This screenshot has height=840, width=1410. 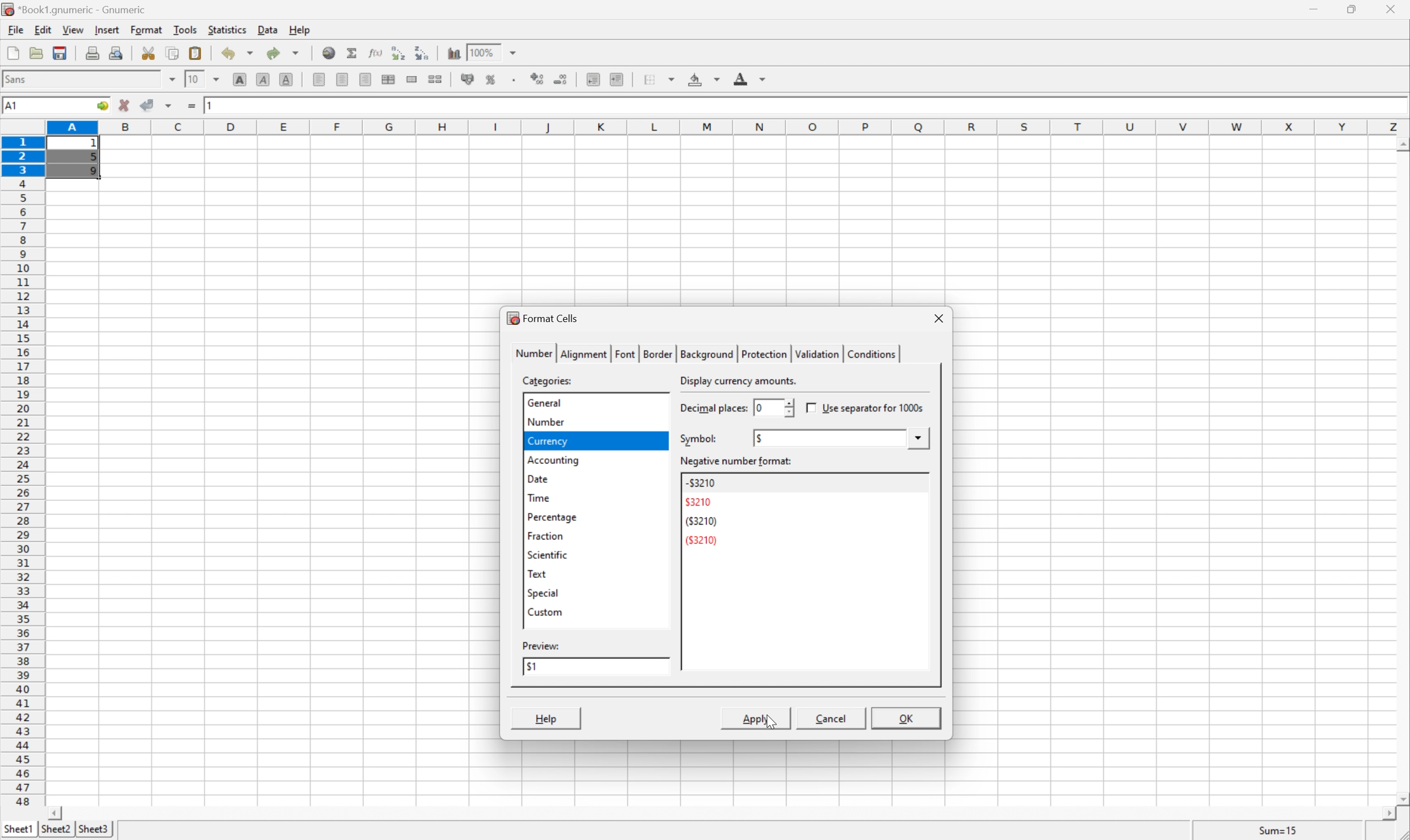 I want to click on number, so click(x=533, y=352).